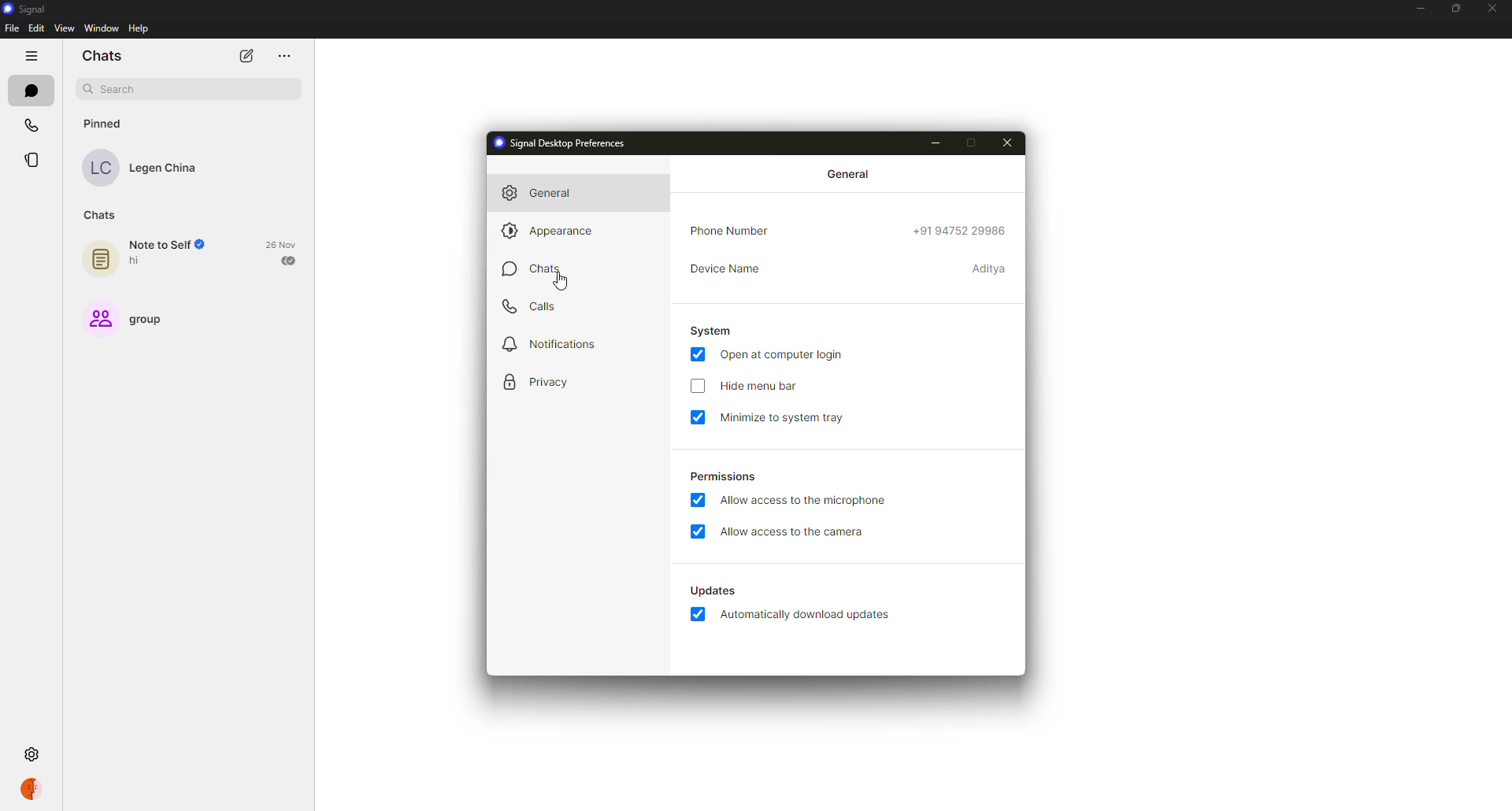 The height and width of the screenshot is (811, 1512). What do you see at coordinates (698, 417) in the screenshot?
I see `enabled` at bounding box center [698, 417].